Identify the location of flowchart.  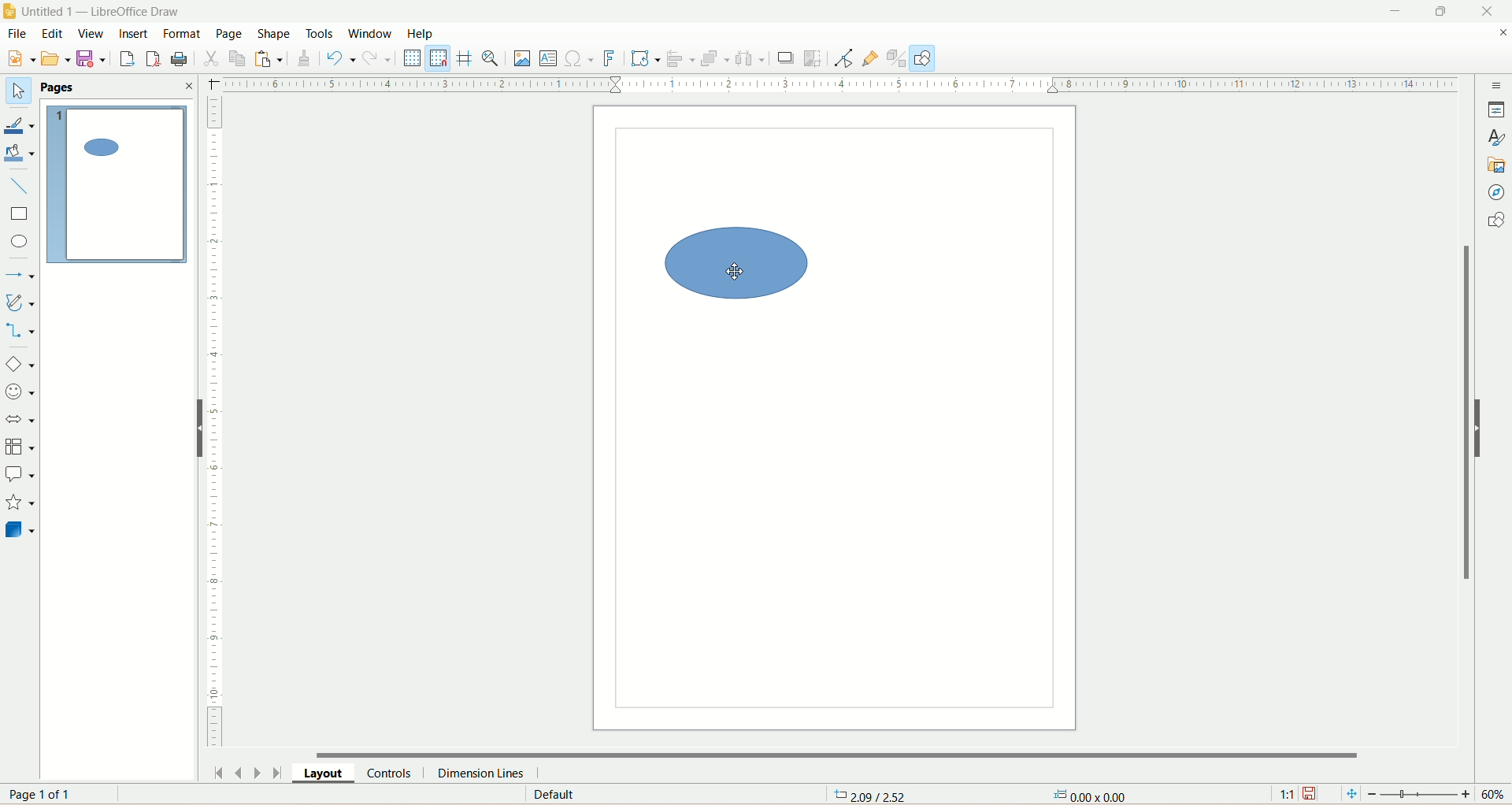
(20, 445).